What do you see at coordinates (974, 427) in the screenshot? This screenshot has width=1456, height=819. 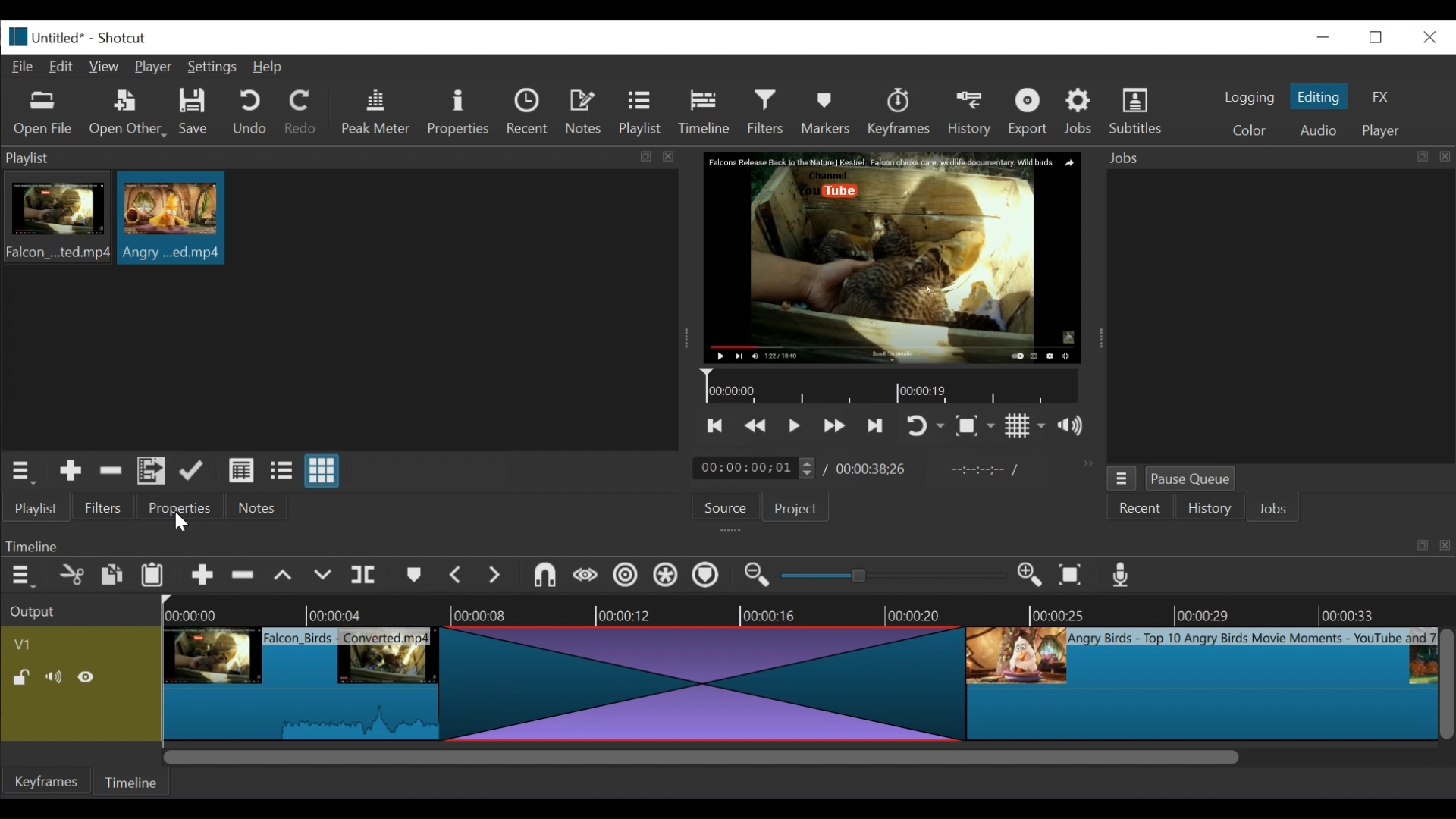 I see `Toggle zoom` at bounding box center [974, 427].